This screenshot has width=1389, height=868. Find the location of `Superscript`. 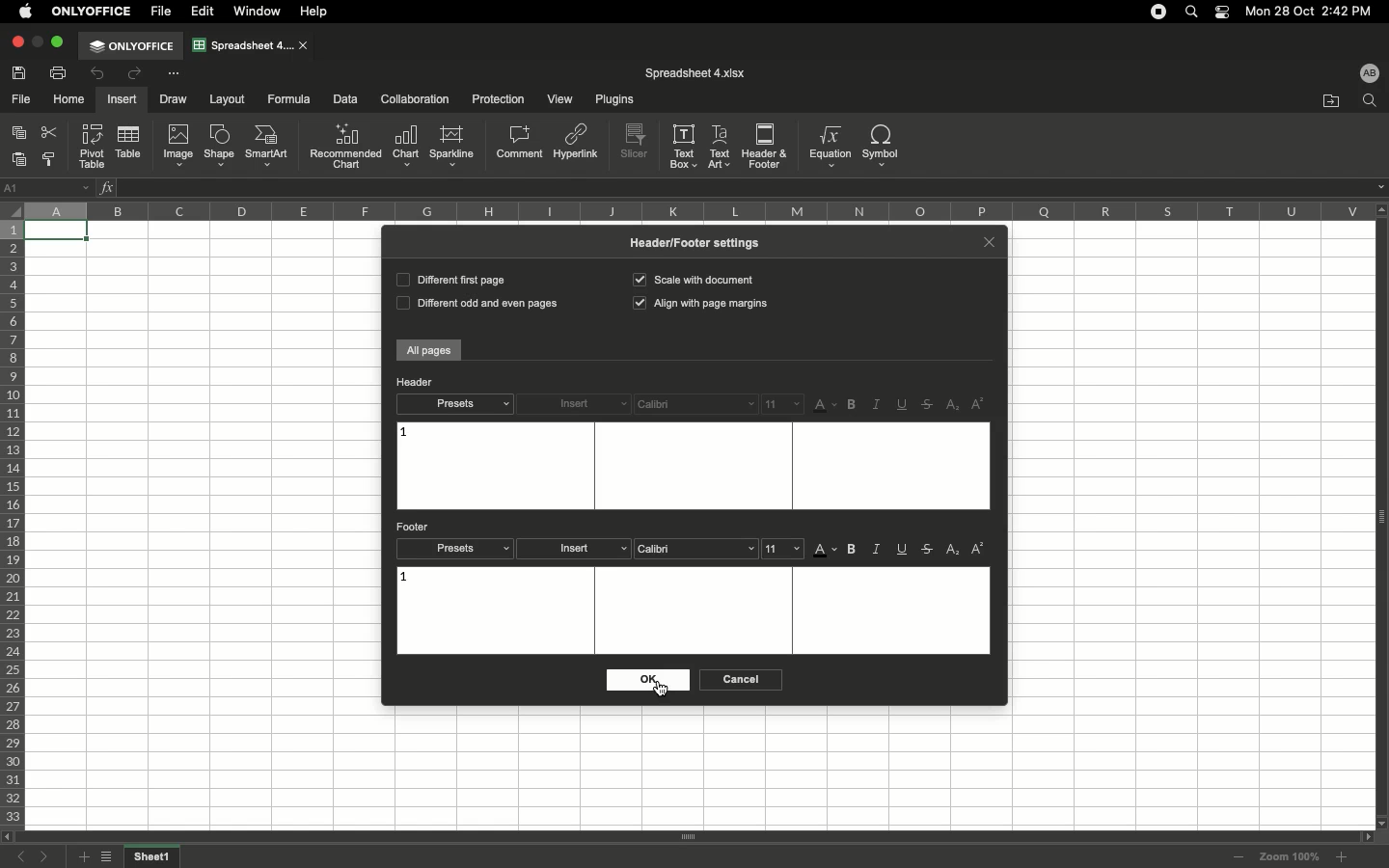

Superscript is located at coordinates (978, 404).